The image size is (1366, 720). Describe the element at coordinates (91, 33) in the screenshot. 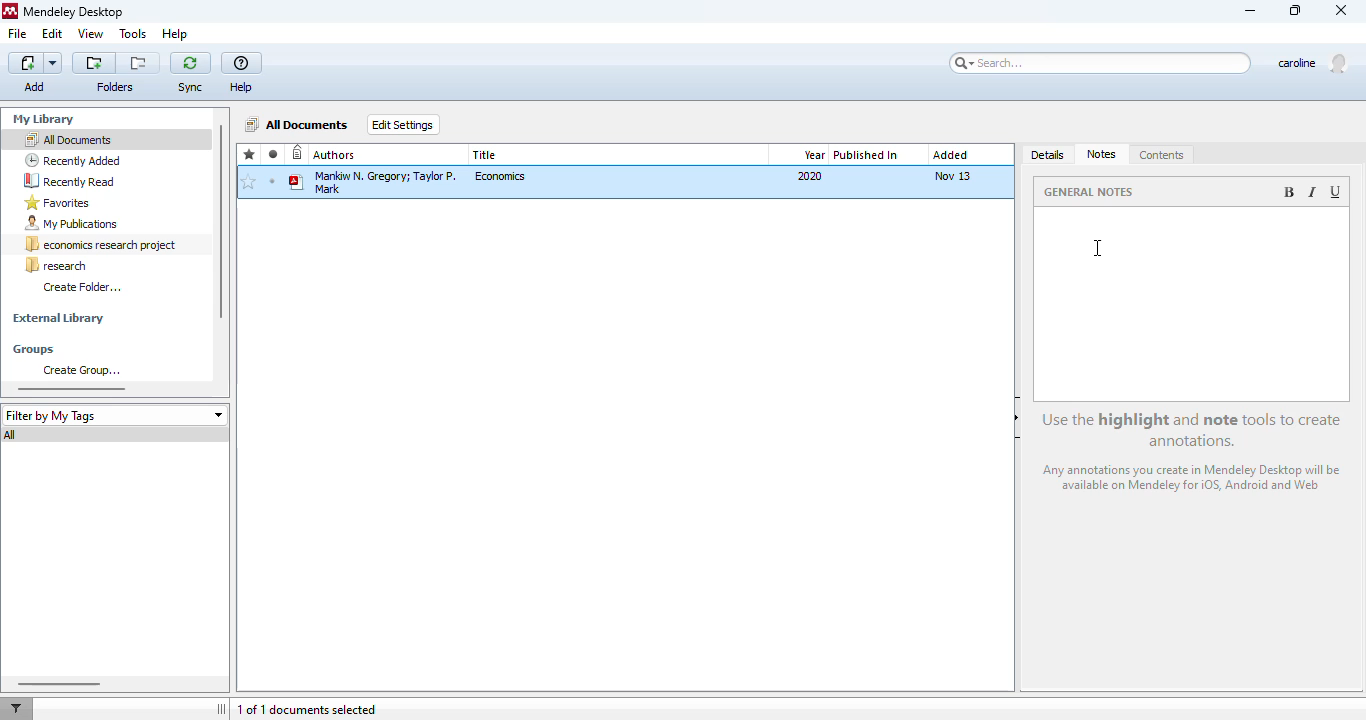

I see `view` at that location.